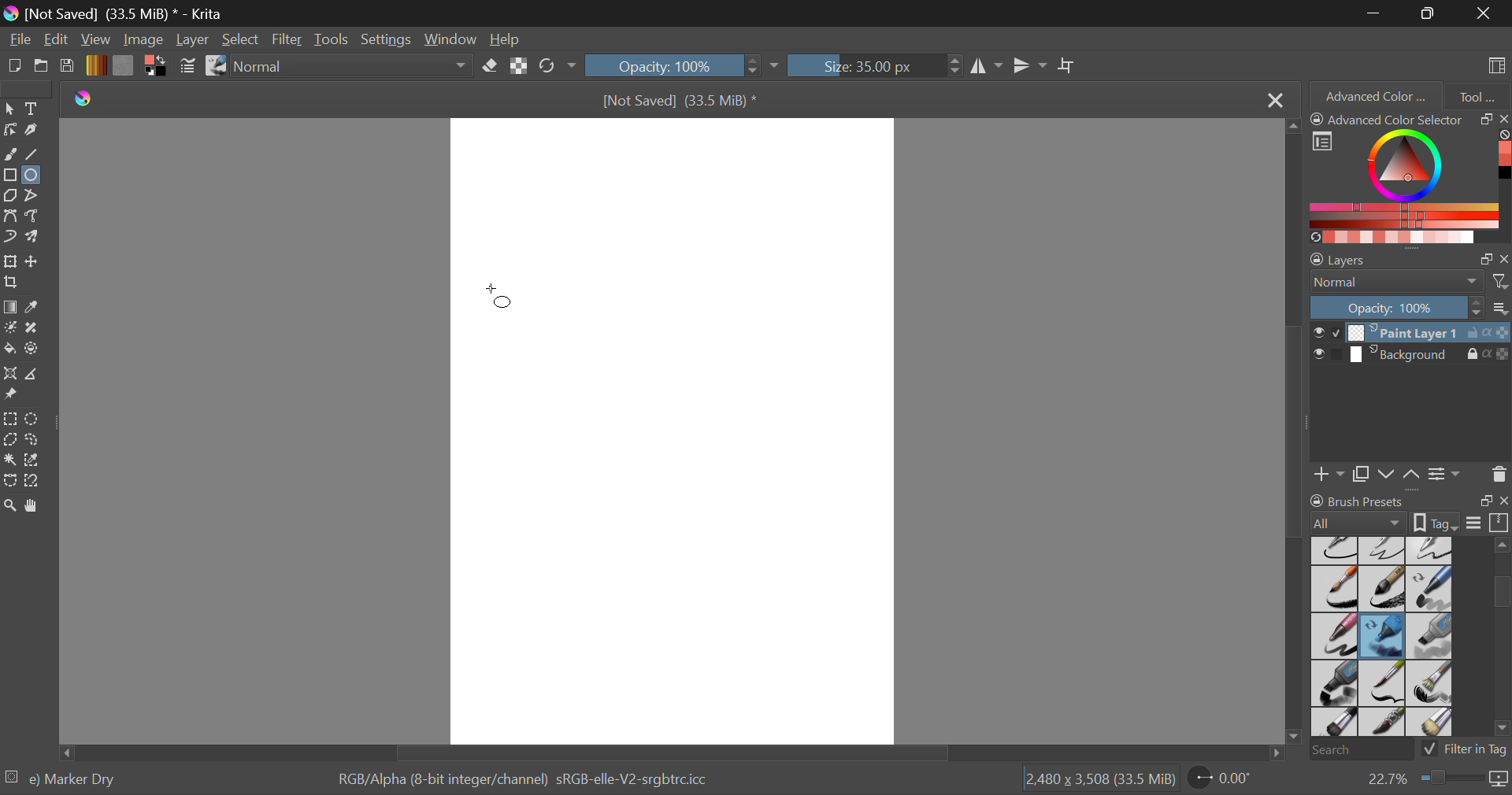 The width and height of the screenshot is (1512, 795). What do you see at coordinates (507, 41) in the screenshot?
I see `Help` at bounding box center [507, 41].